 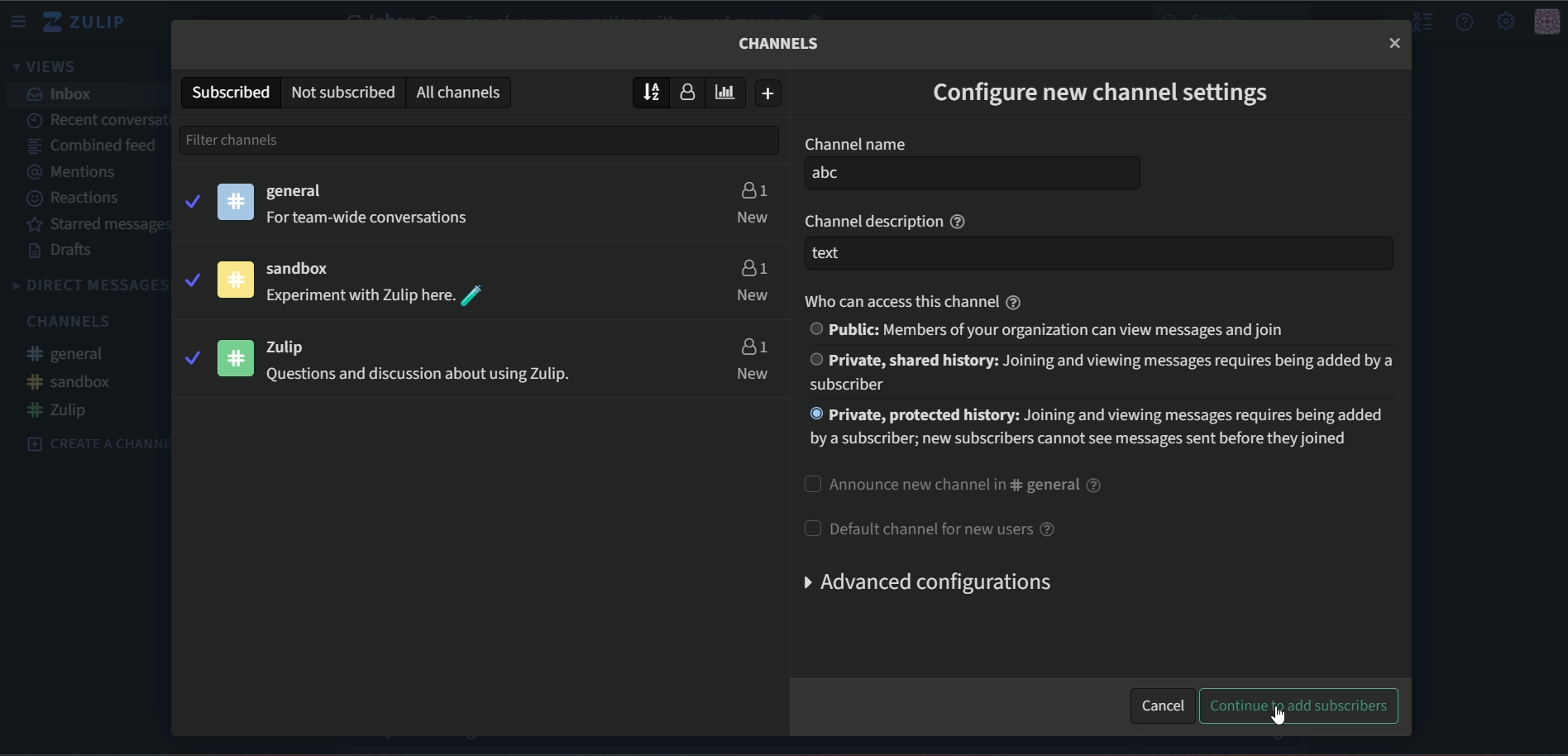 What do you see at coordinates (692, 93) in the screenshot?
I see `user` at bounding box center [692, 93].